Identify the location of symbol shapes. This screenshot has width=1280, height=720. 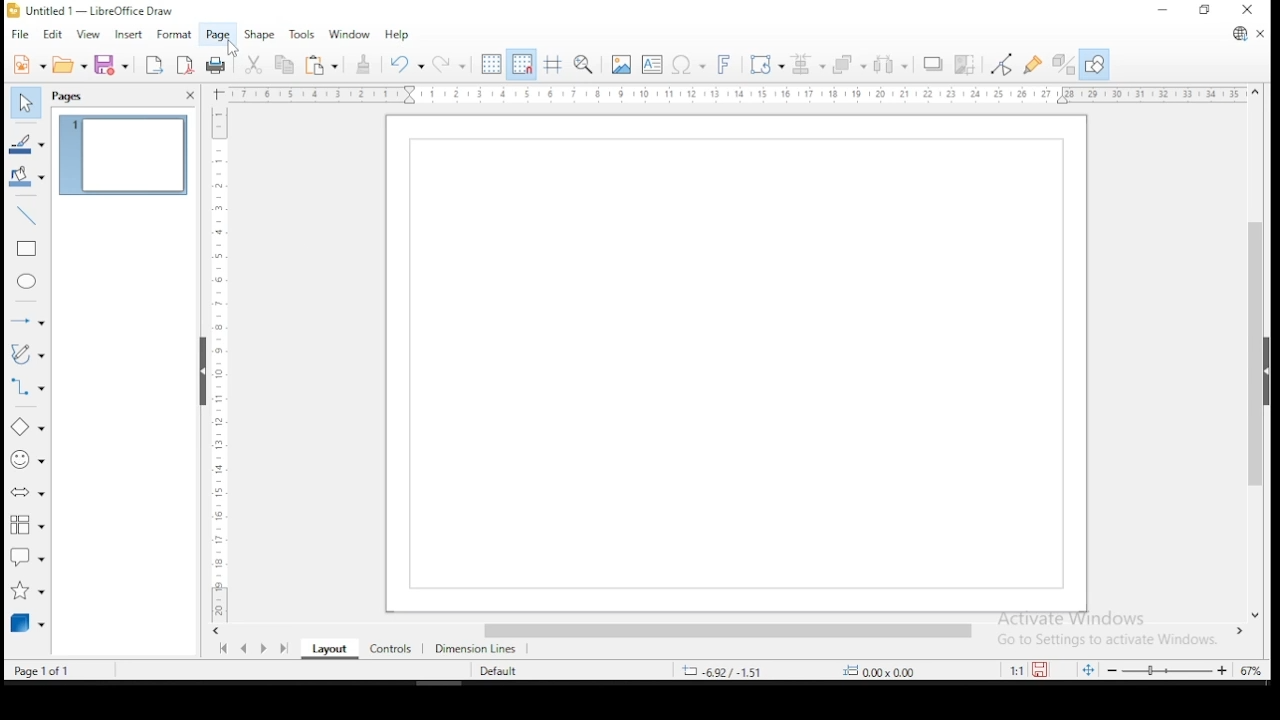
(25, 465).